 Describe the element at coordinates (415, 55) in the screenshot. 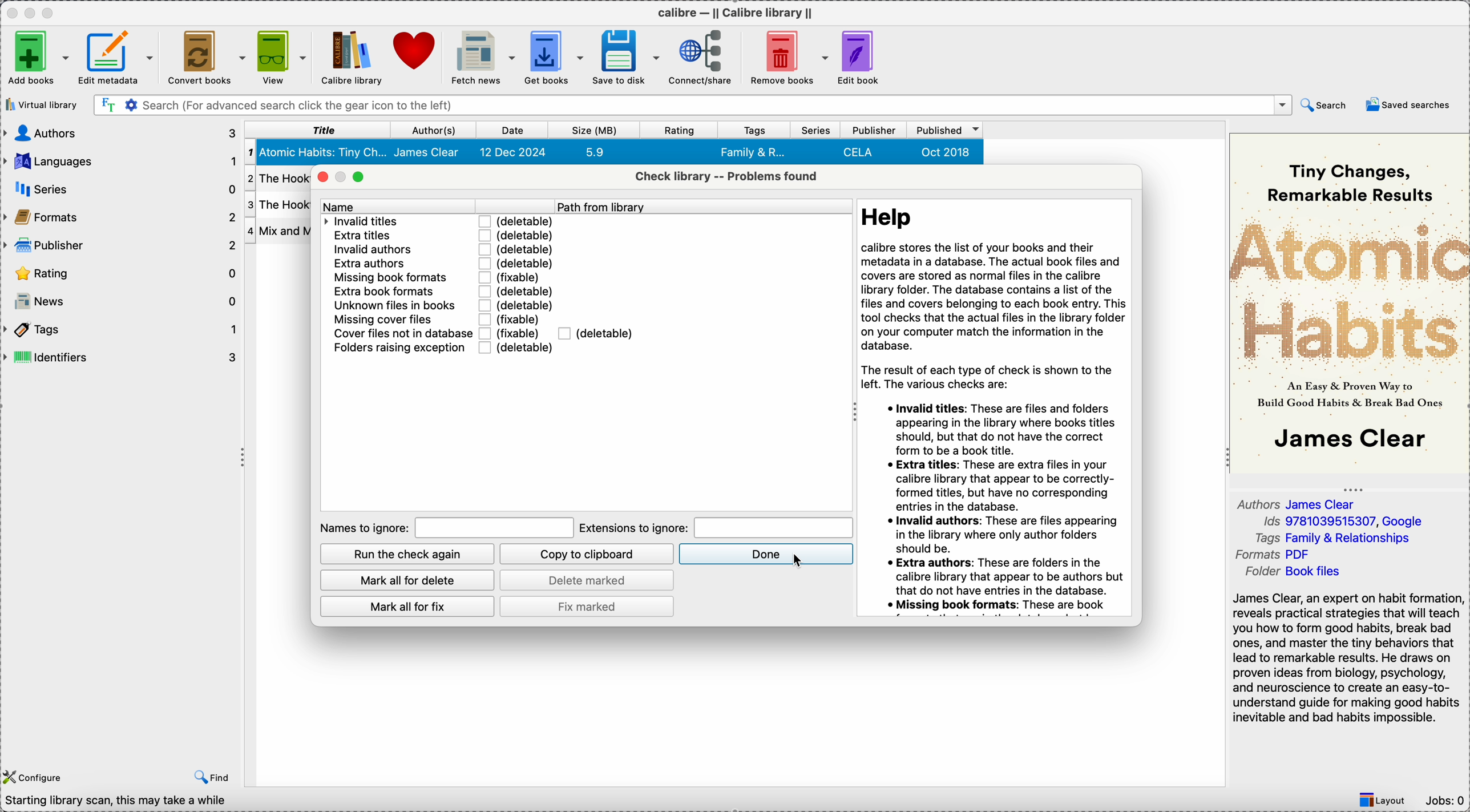

I see `donate` at that location.